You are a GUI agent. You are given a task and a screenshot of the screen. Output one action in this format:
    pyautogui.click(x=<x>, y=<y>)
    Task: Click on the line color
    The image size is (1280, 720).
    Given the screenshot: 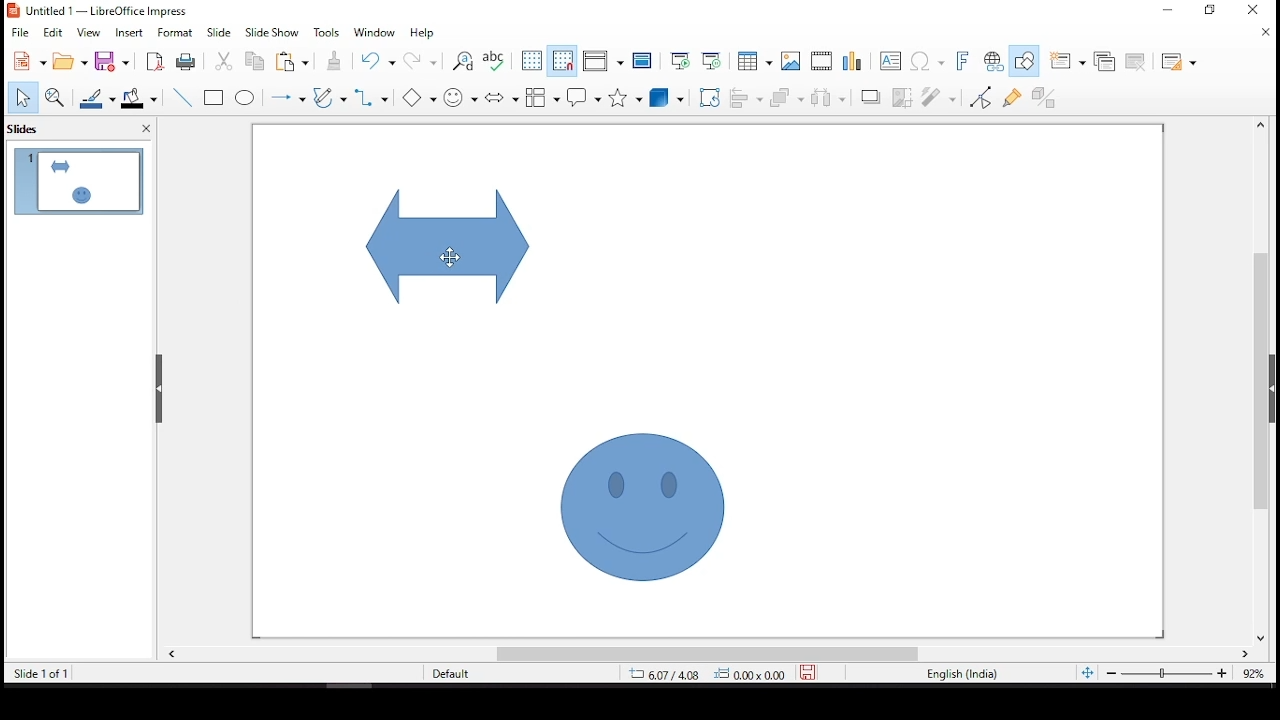 What is the action you would take?
    pyautogui.click(x=99, y=98)
    